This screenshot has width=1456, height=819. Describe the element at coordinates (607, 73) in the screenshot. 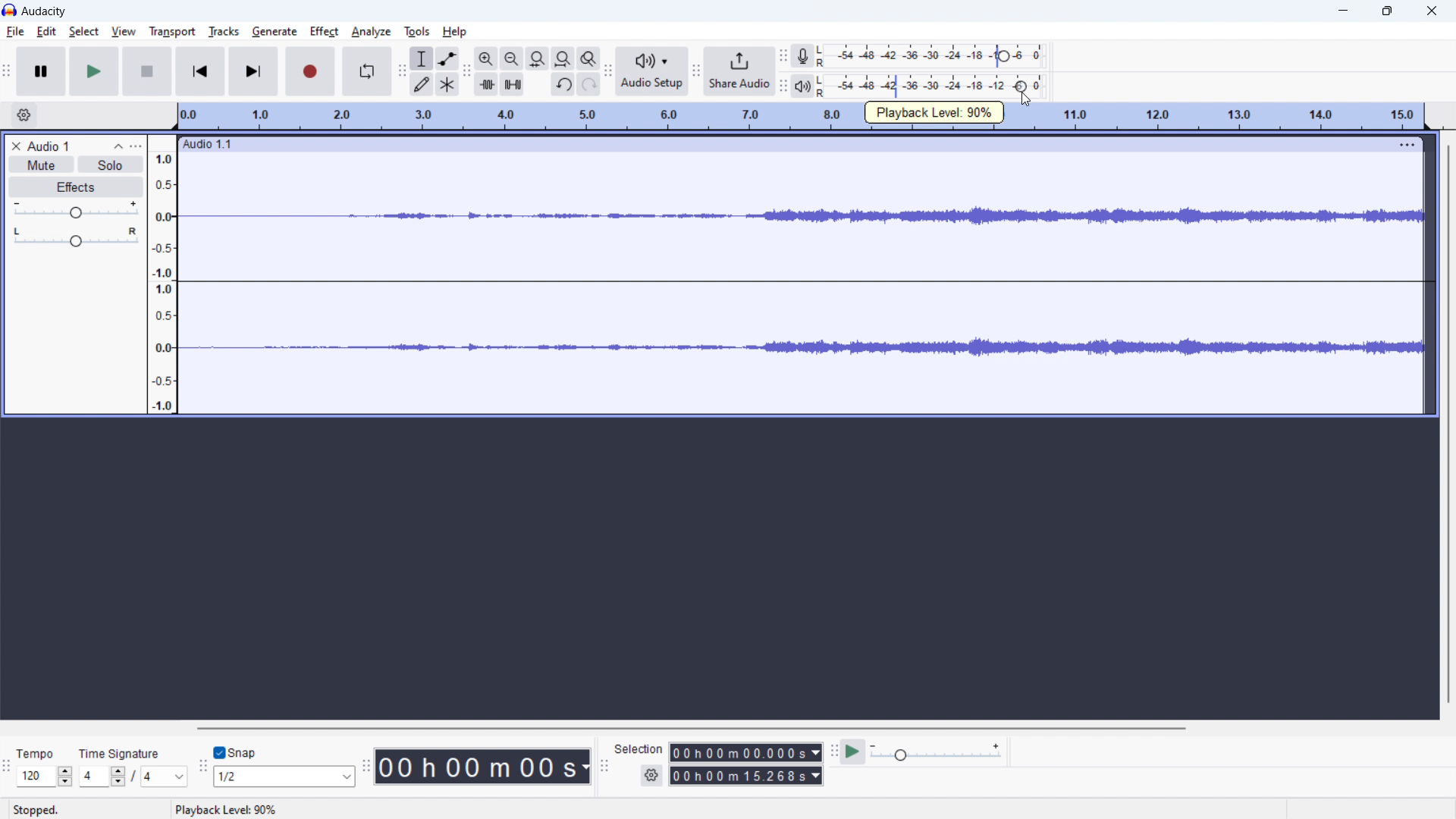

I see `Audio setup toolbar` at that location.